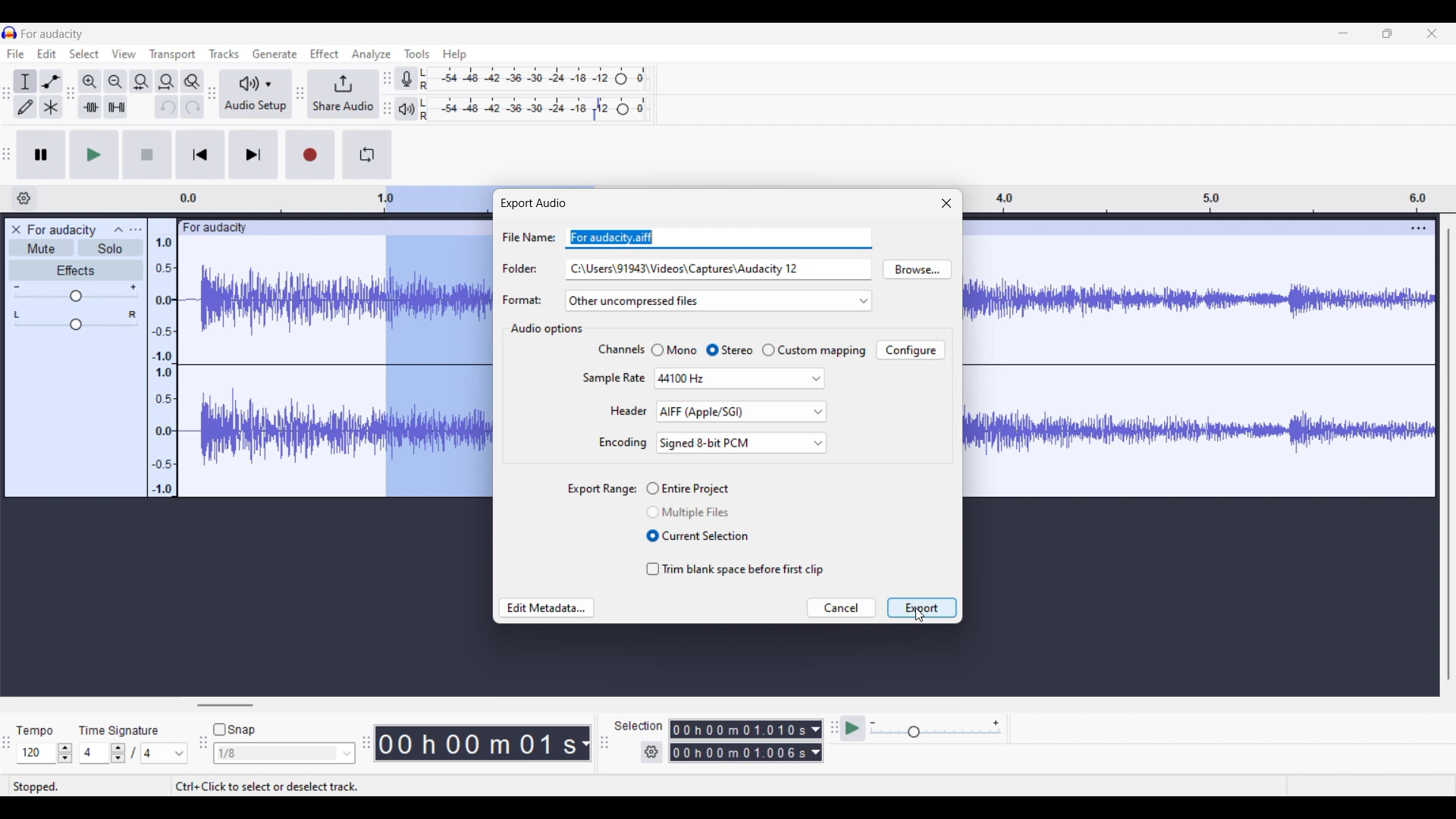 The image size is (1456, 819). What do you see at coordinates (275, 54) in the screenshot?
I see `Generate menu` at bounding box center [275, 54].